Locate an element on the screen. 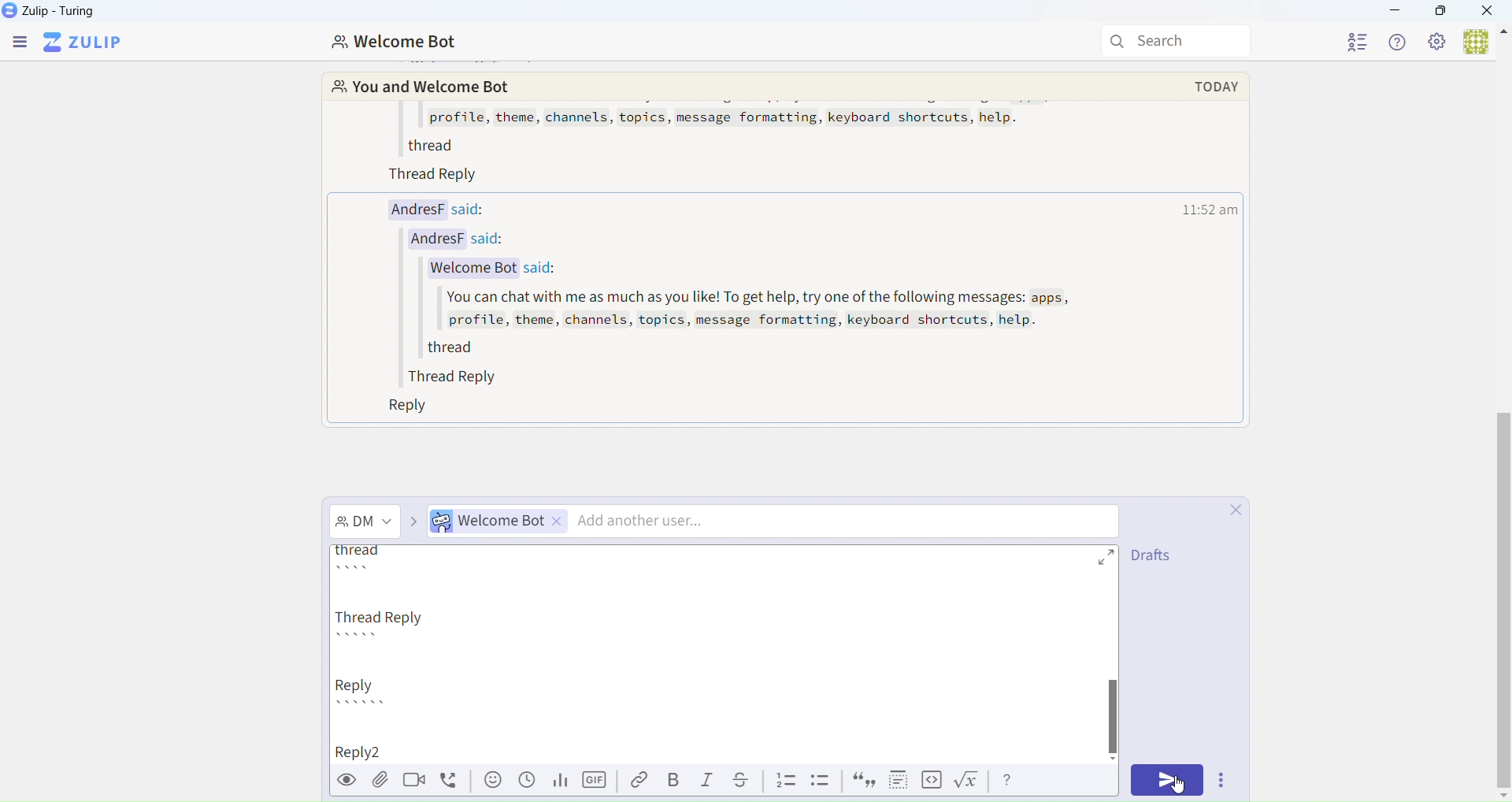   is located at coordinates (1114, 715).